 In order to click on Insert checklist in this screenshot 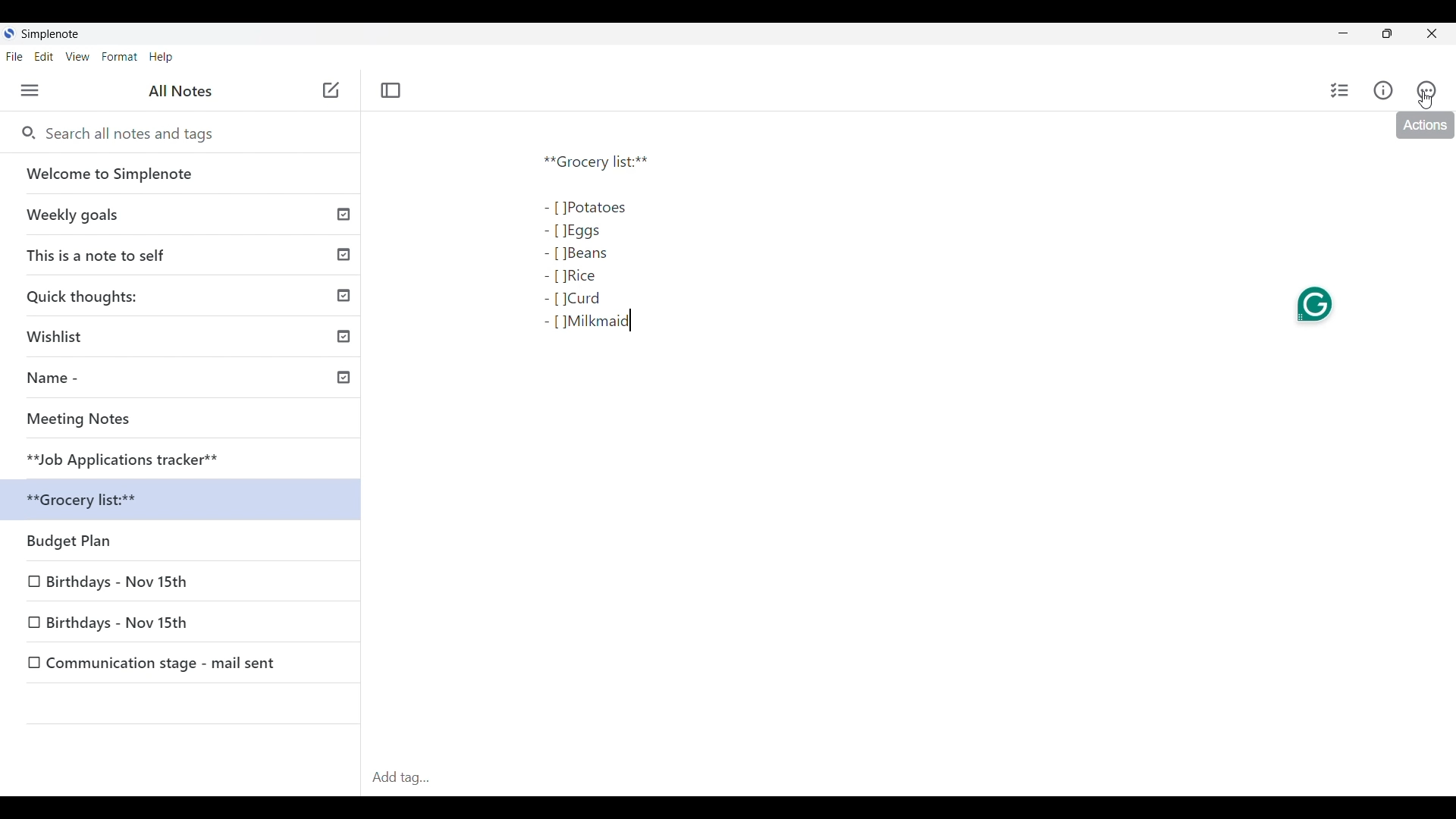, I will do `click(1341, 90)`.